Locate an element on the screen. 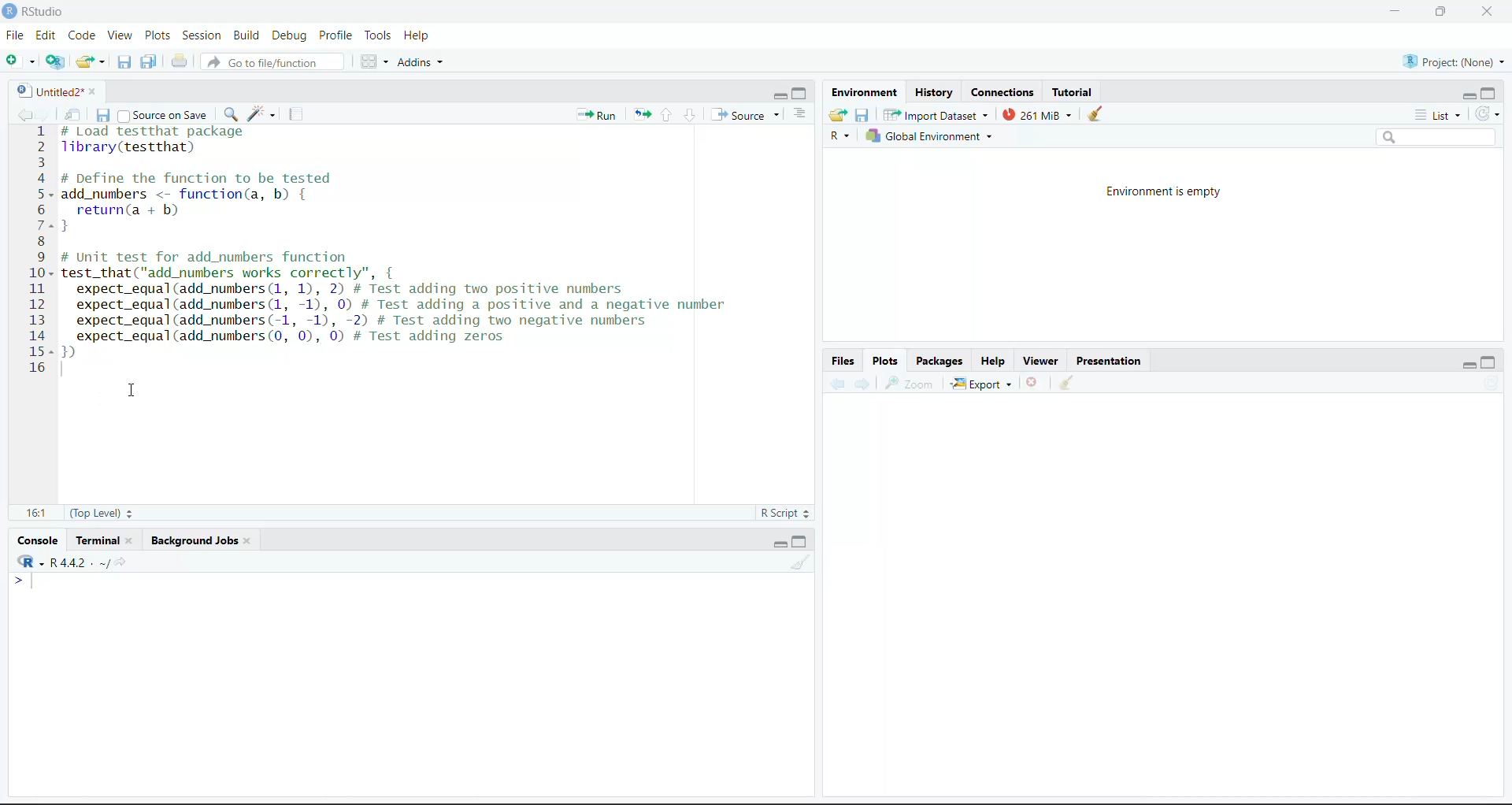  close is located at coordinates (1488, 12).